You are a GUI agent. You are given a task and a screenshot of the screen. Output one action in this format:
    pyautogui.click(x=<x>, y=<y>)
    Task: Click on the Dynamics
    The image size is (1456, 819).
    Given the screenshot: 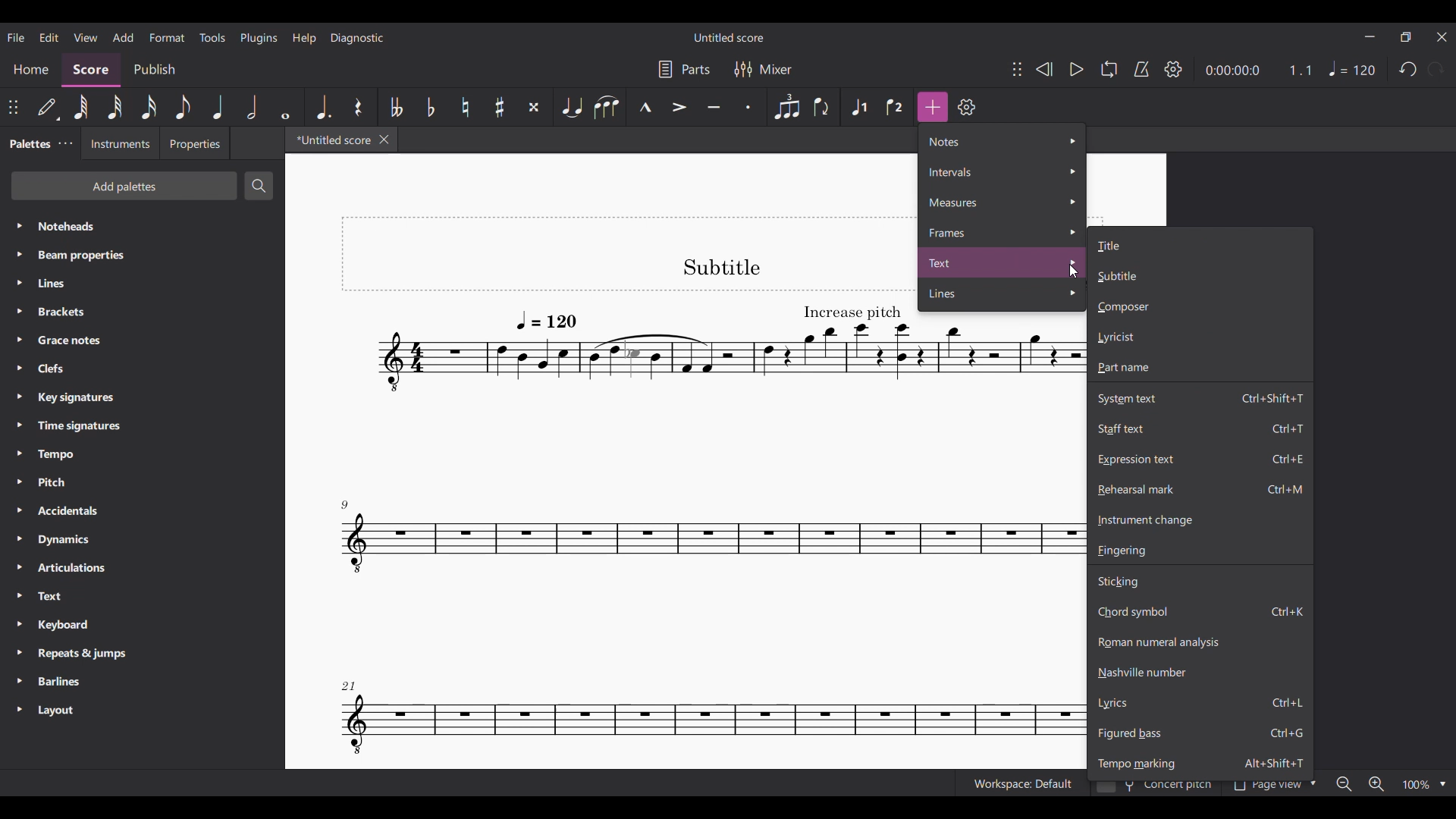 What is the action you would take?
    pyautogui.click(x=143, y=539)
    